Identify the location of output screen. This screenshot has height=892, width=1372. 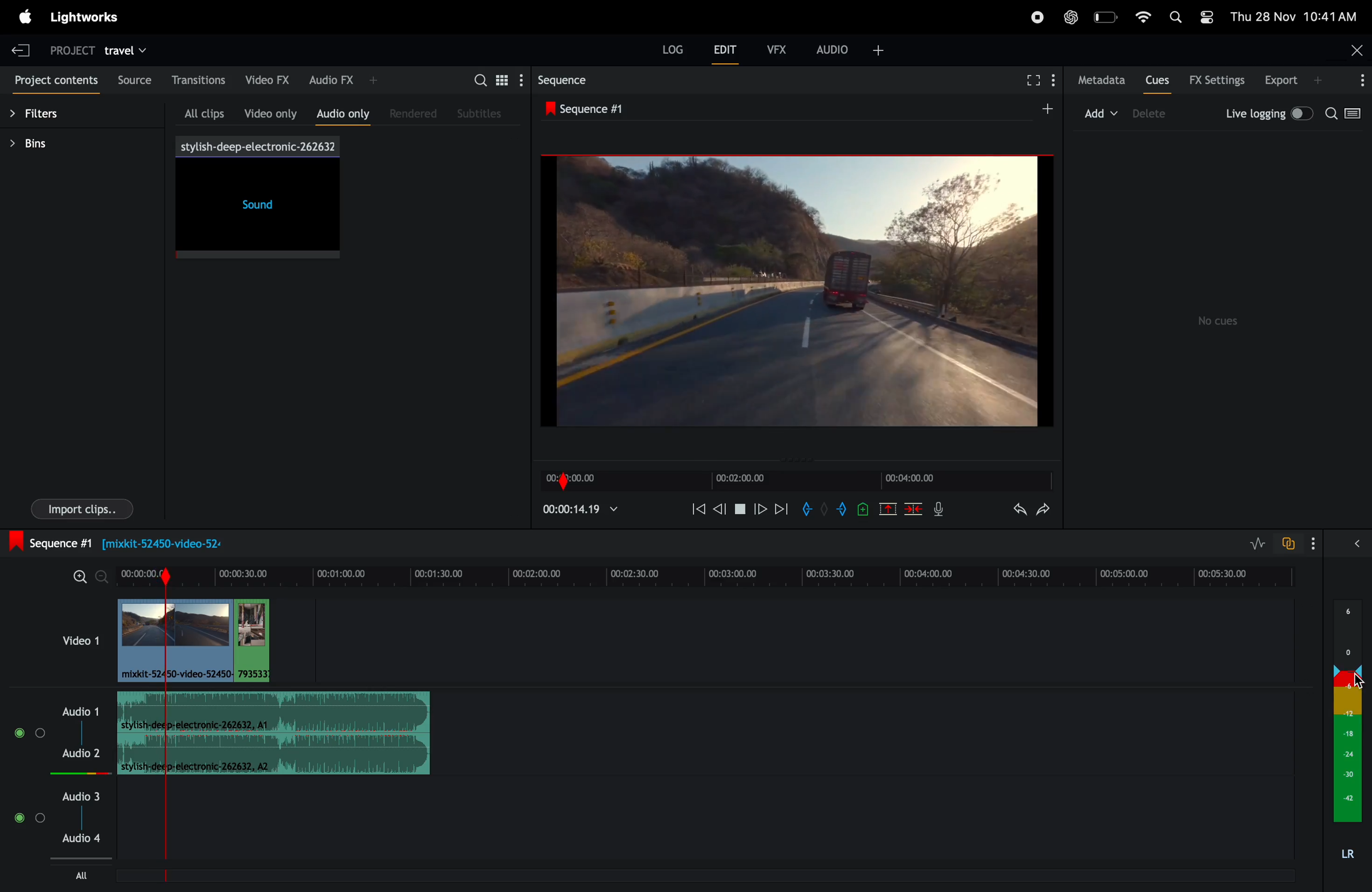
(797, 289).